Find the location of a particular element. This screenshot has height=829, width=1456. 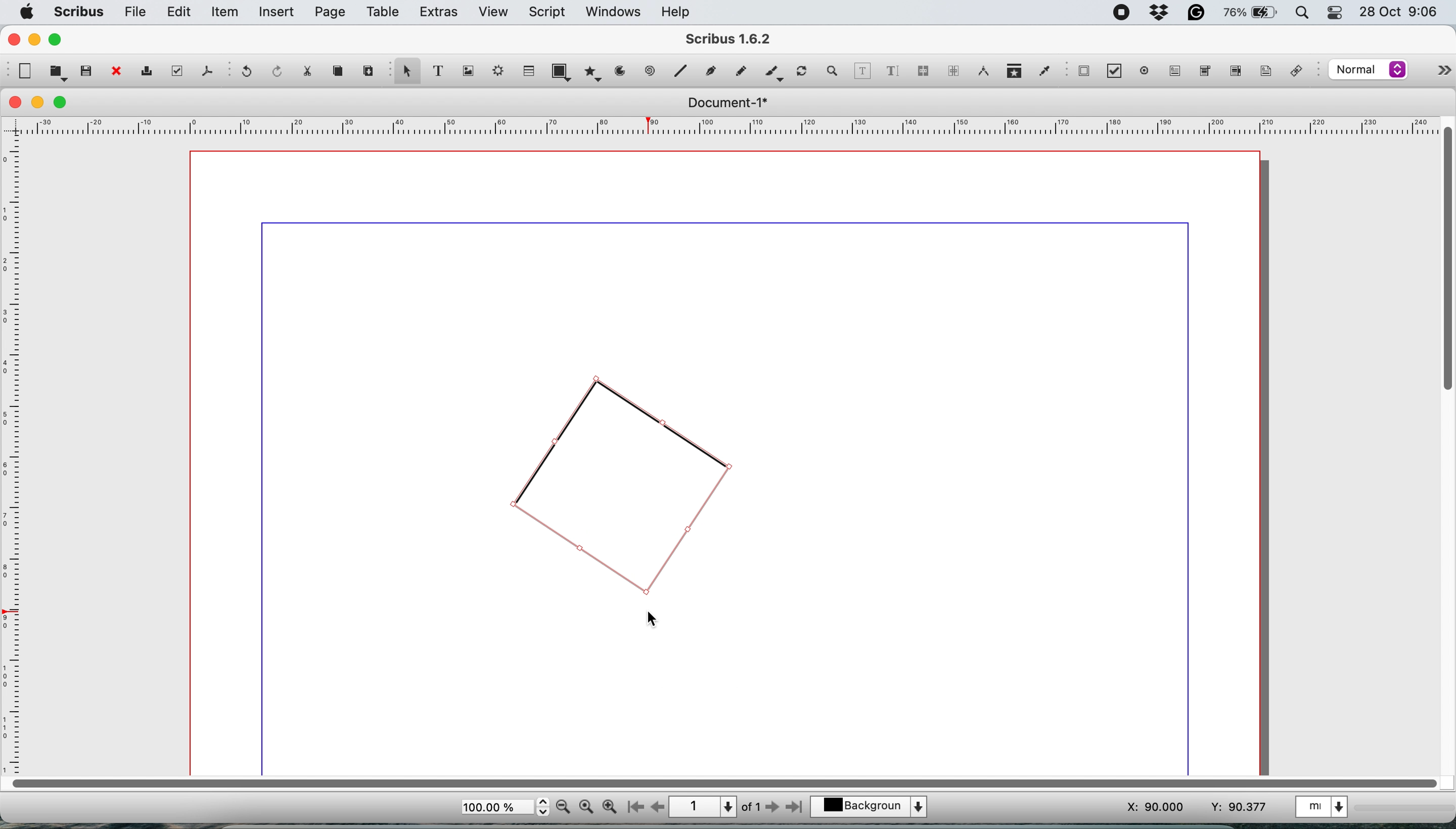

link annotation is located at coordinates (1301, 71).